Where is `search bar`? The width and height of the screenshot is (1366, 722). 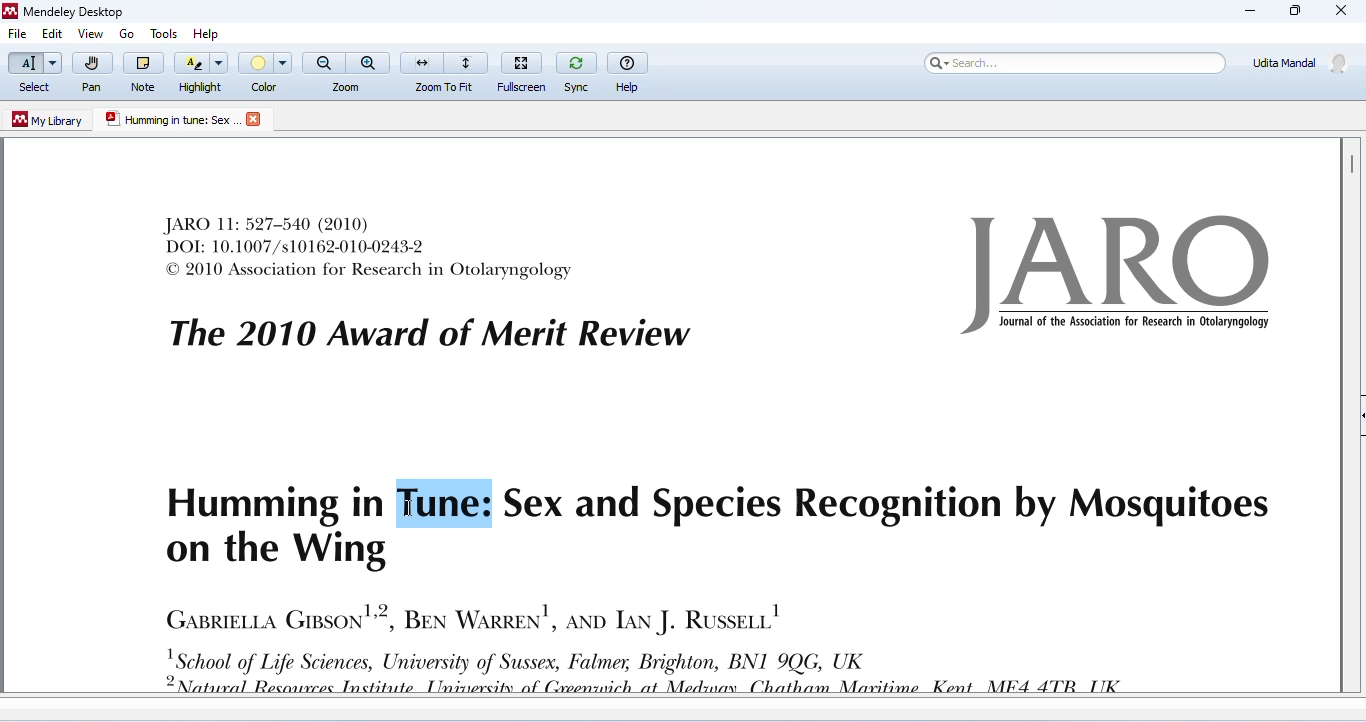 search bar is located at coordinates (1072, 62).